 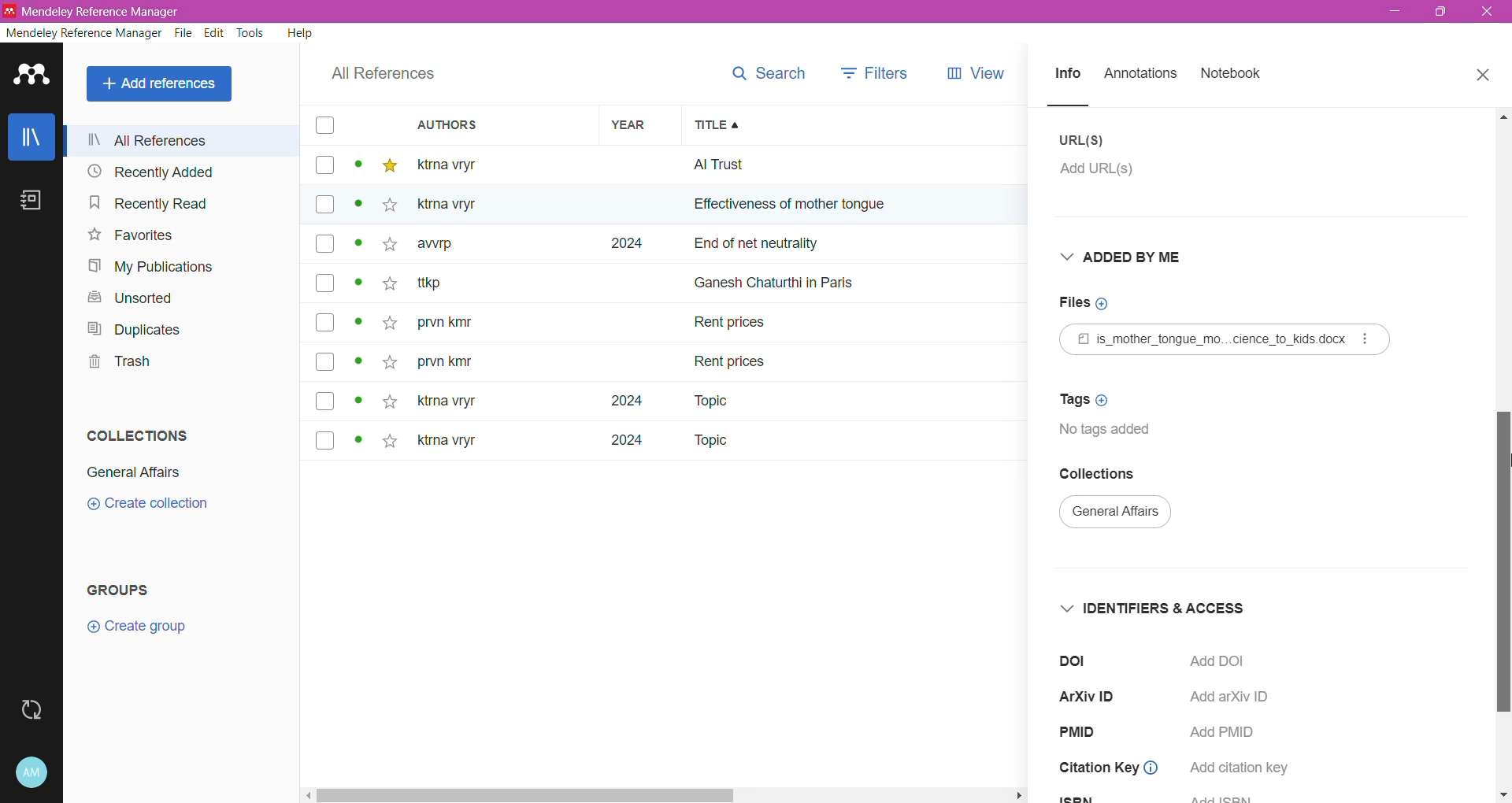 I want to click on star, so click(x=386, y=208).